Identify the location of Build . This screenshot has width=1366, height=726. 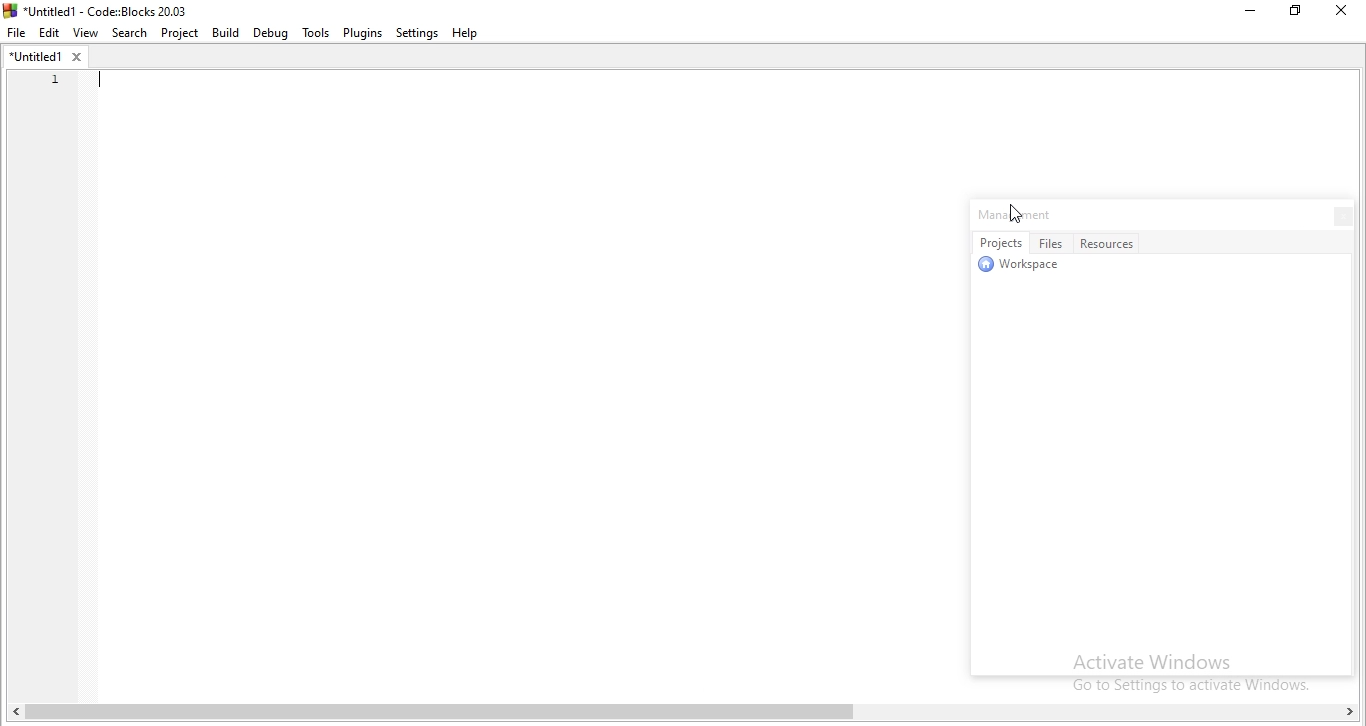
(227, 34).